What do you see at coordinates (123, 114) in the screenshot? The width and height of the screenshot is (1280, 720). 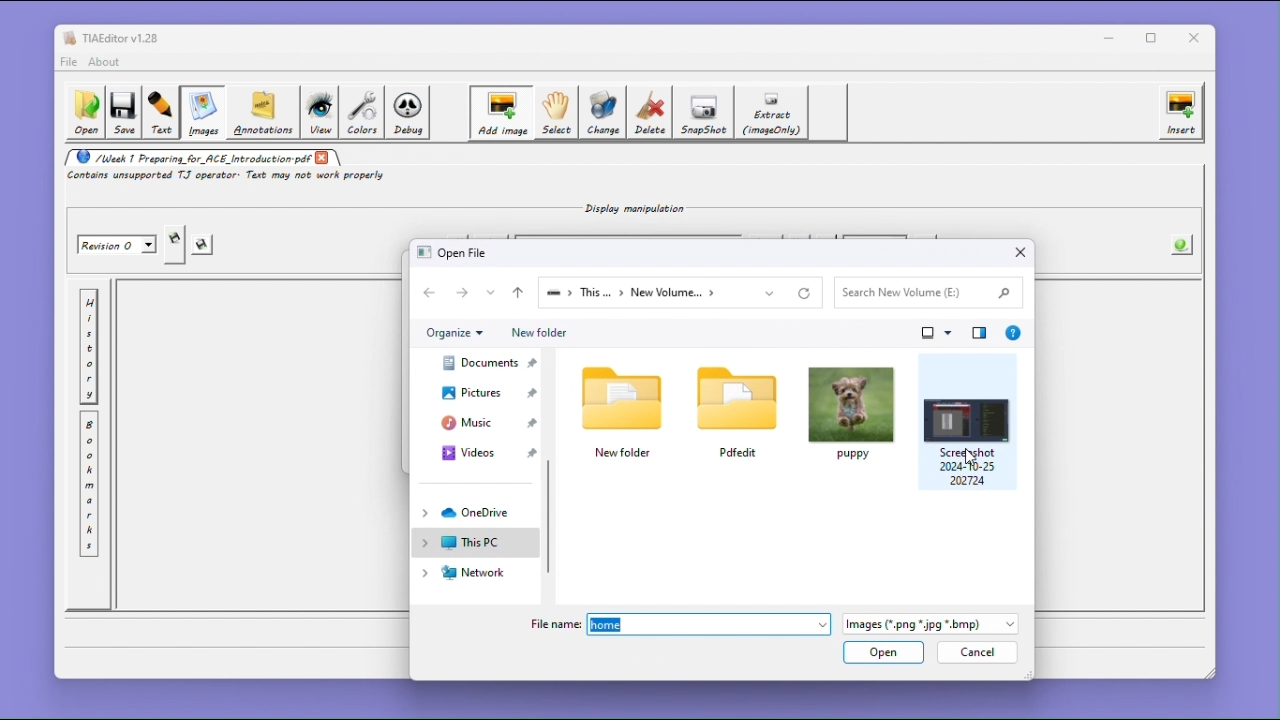 I see `save` at bounding box center [123, 114].